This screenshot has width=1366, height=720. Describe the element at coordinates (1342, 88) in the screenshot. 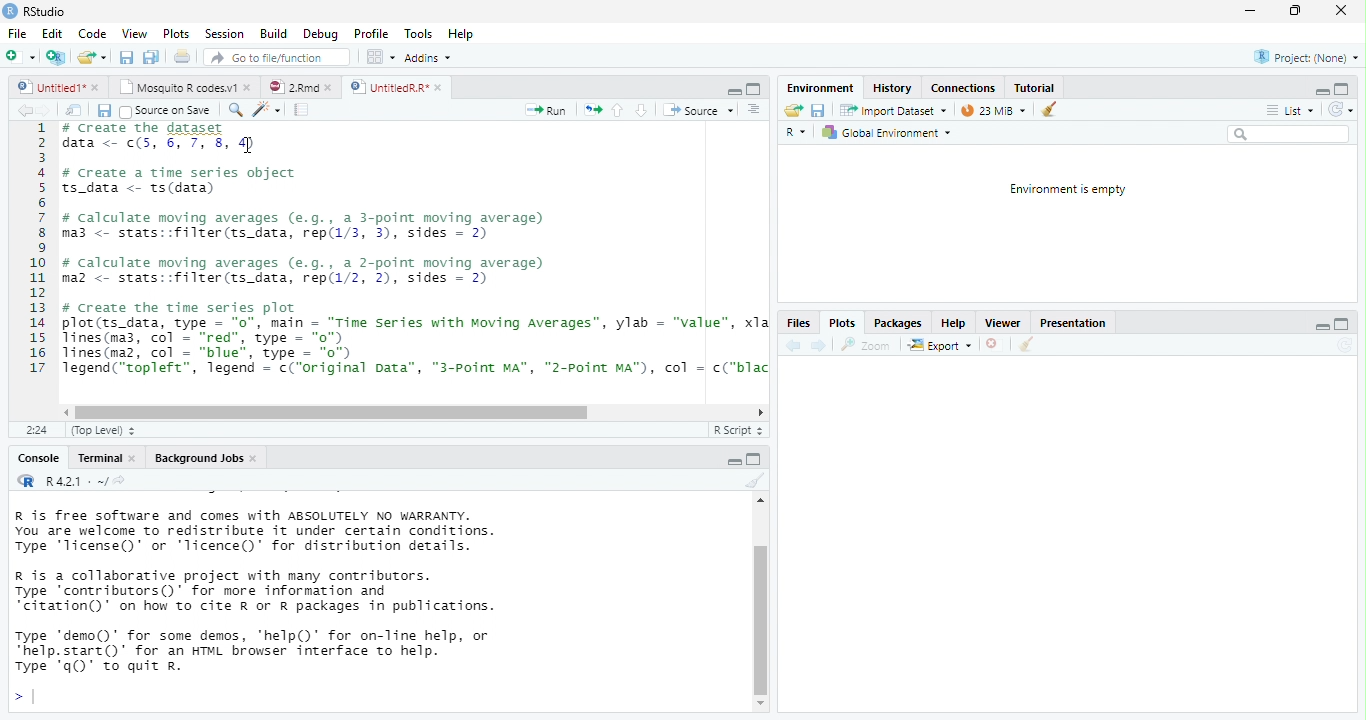

I see `maximize` at that location.